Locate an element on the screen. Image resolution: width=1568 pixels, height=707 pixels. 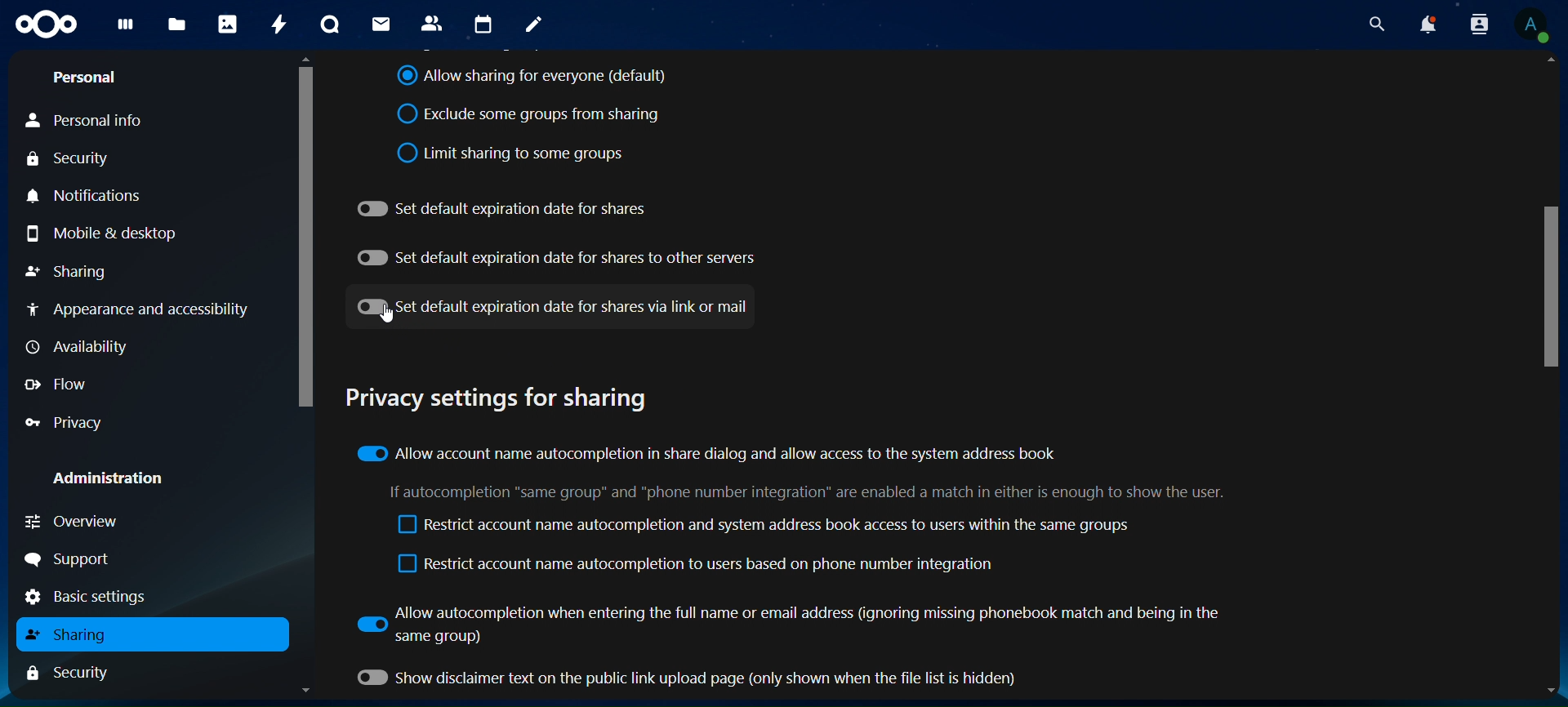
files is located at coordinates (176, 25).